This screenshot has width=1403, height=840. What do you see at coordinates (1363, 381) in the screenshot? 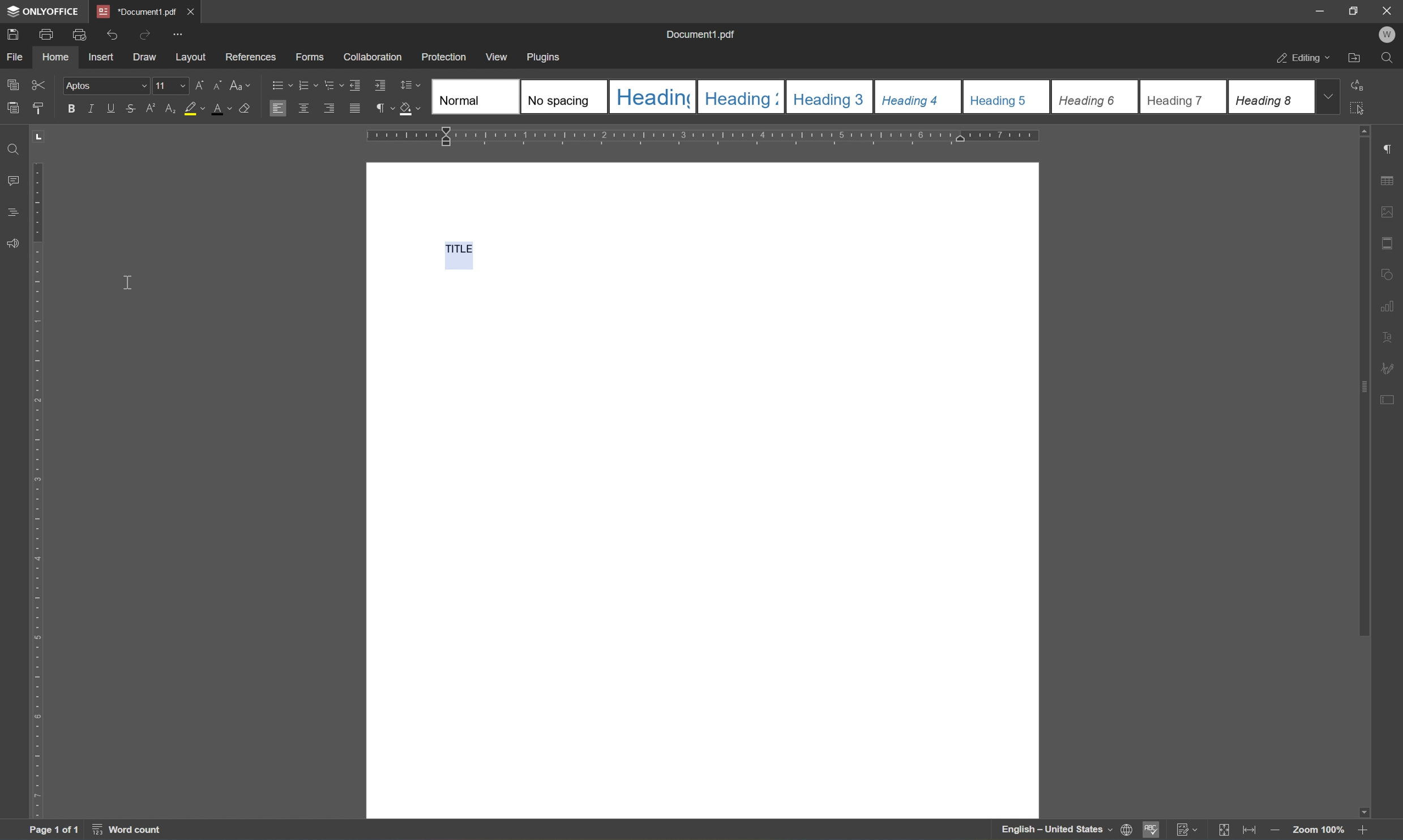
I see `scroll bar` at bounding box center [1363, 381].